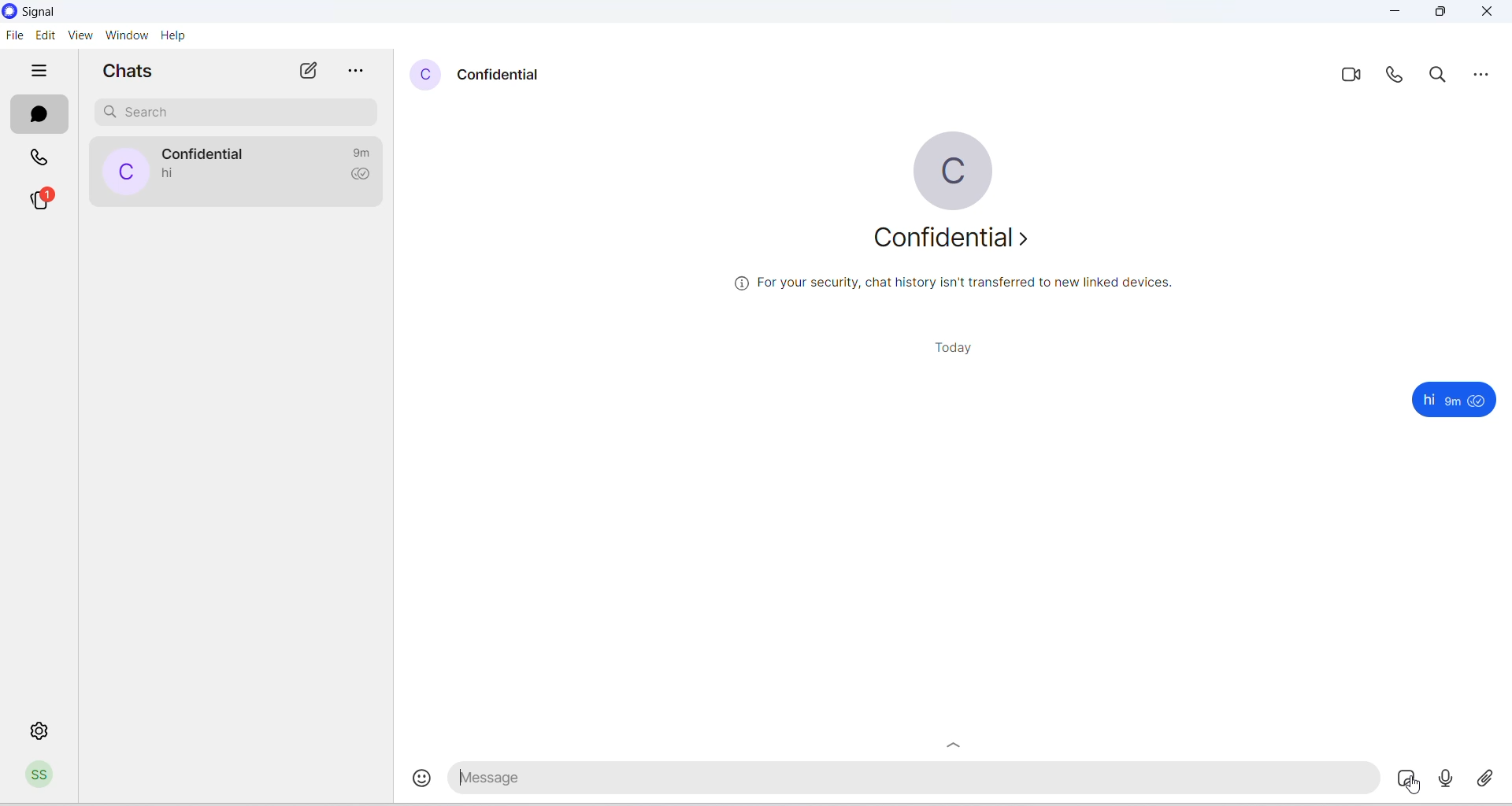 Image resolution: width=1512 pixels, height=806 pixels. What do you see at coordinates (1479, 401) in the screenshot?
I see `seen` at bounding box center [1479, 401].